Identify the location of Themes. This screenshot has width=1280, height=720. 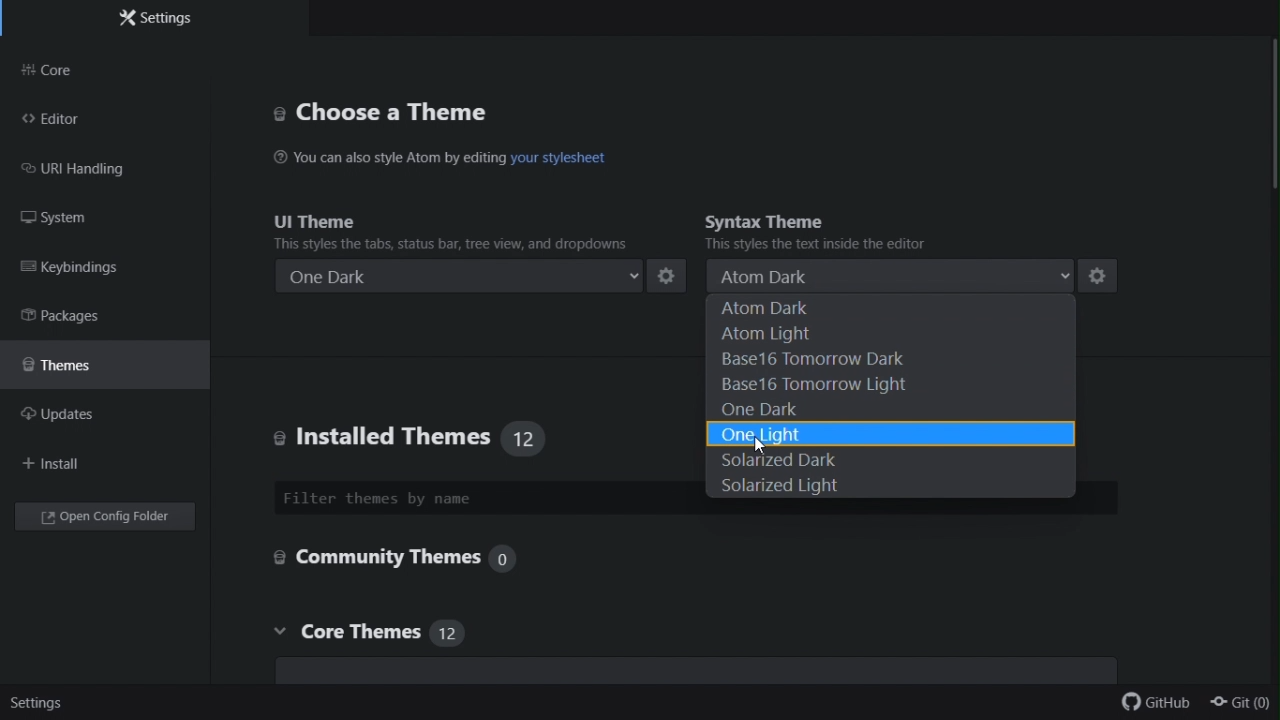
(83, 371).